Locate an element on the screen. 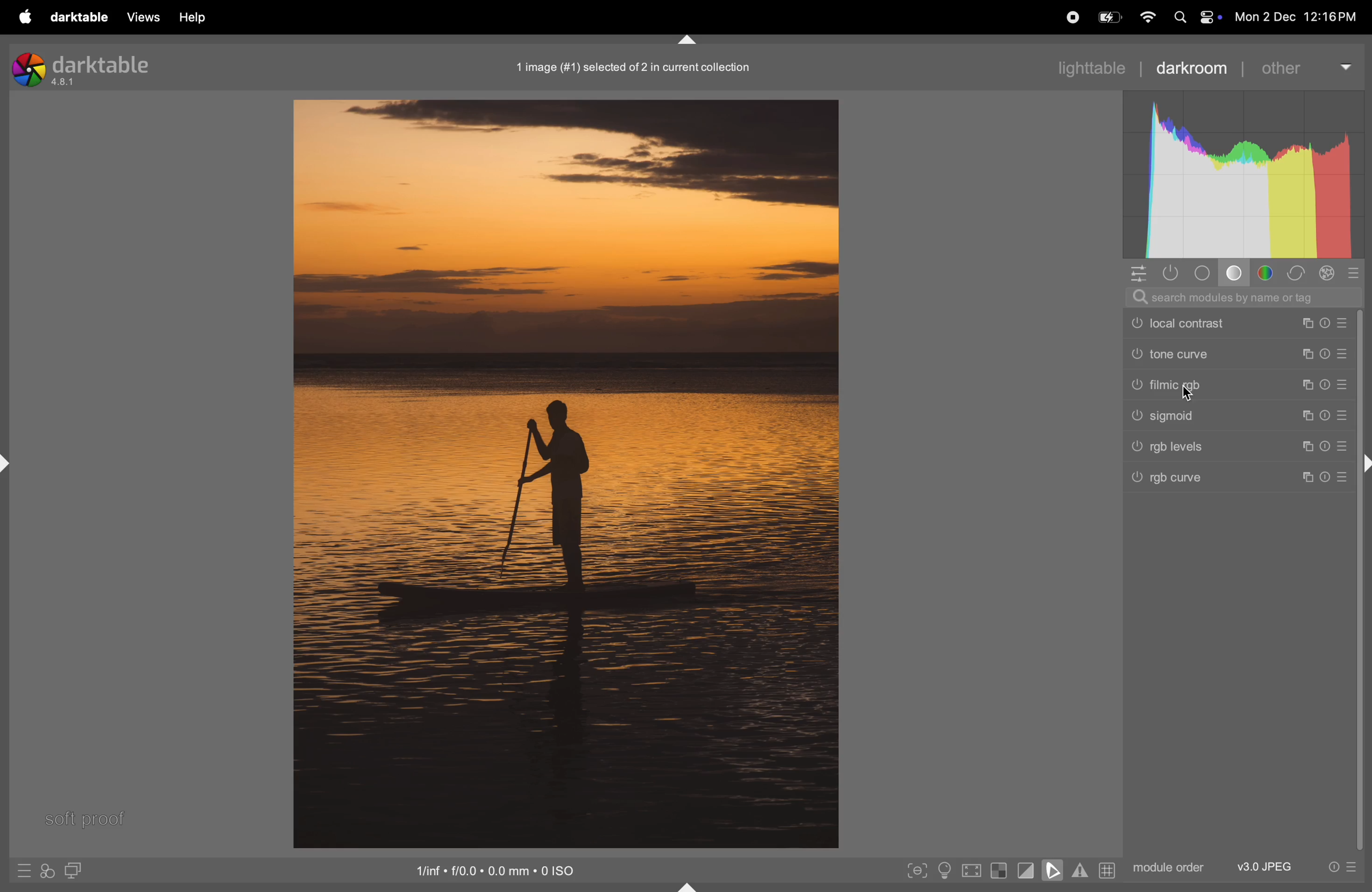 The image size is (1372, 892). correct  is located at coordinates (1296, 274).